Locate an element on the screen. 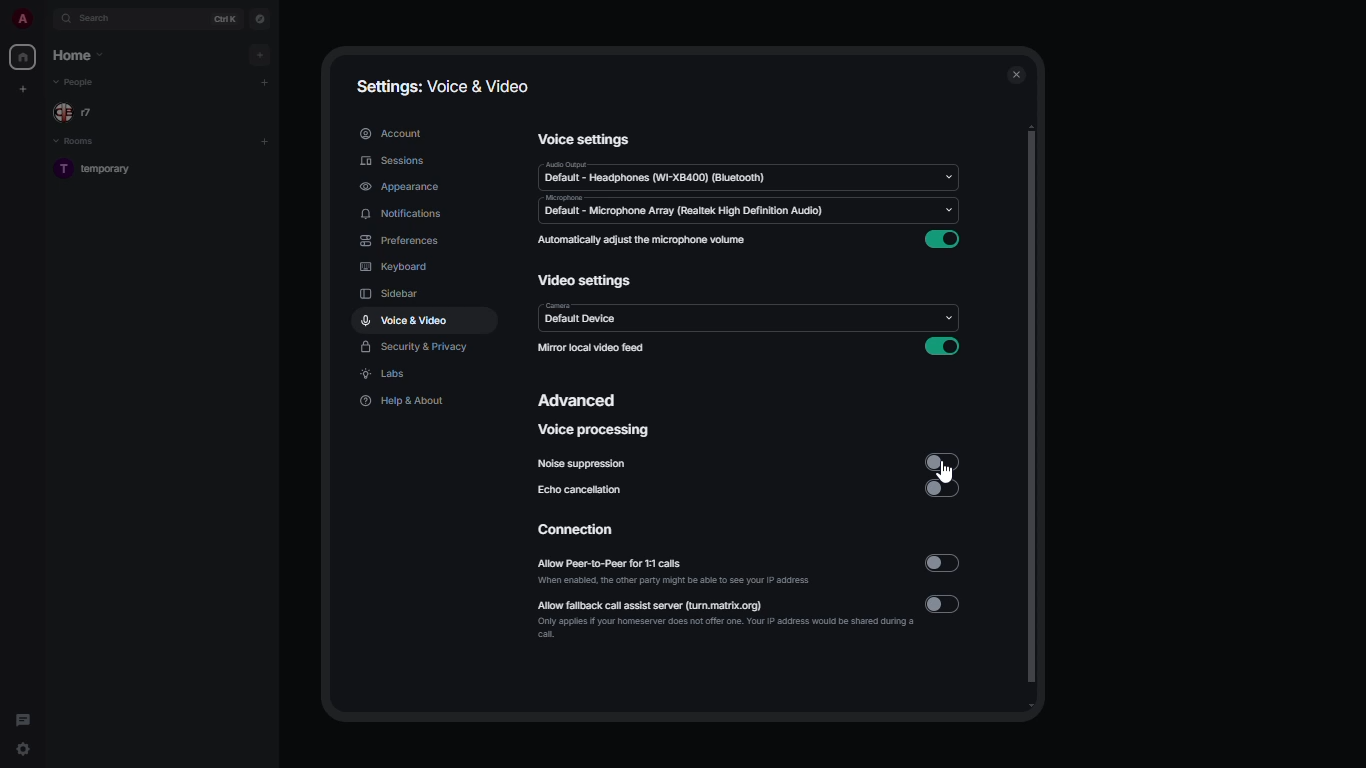 The width and height of the screenshot is (1366, 768). disabled is located at coordinates (943, 563).